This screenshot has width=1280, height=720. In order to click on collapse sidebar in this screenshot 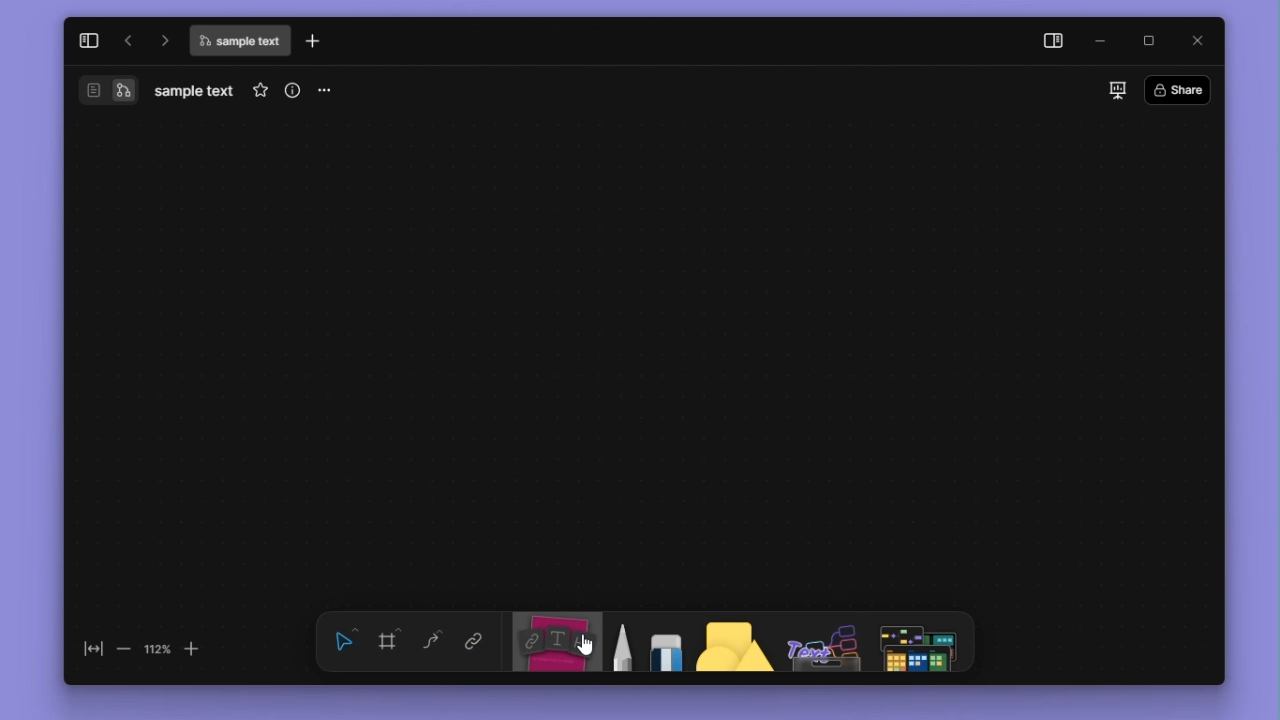, I will do `click(89, 41)`.